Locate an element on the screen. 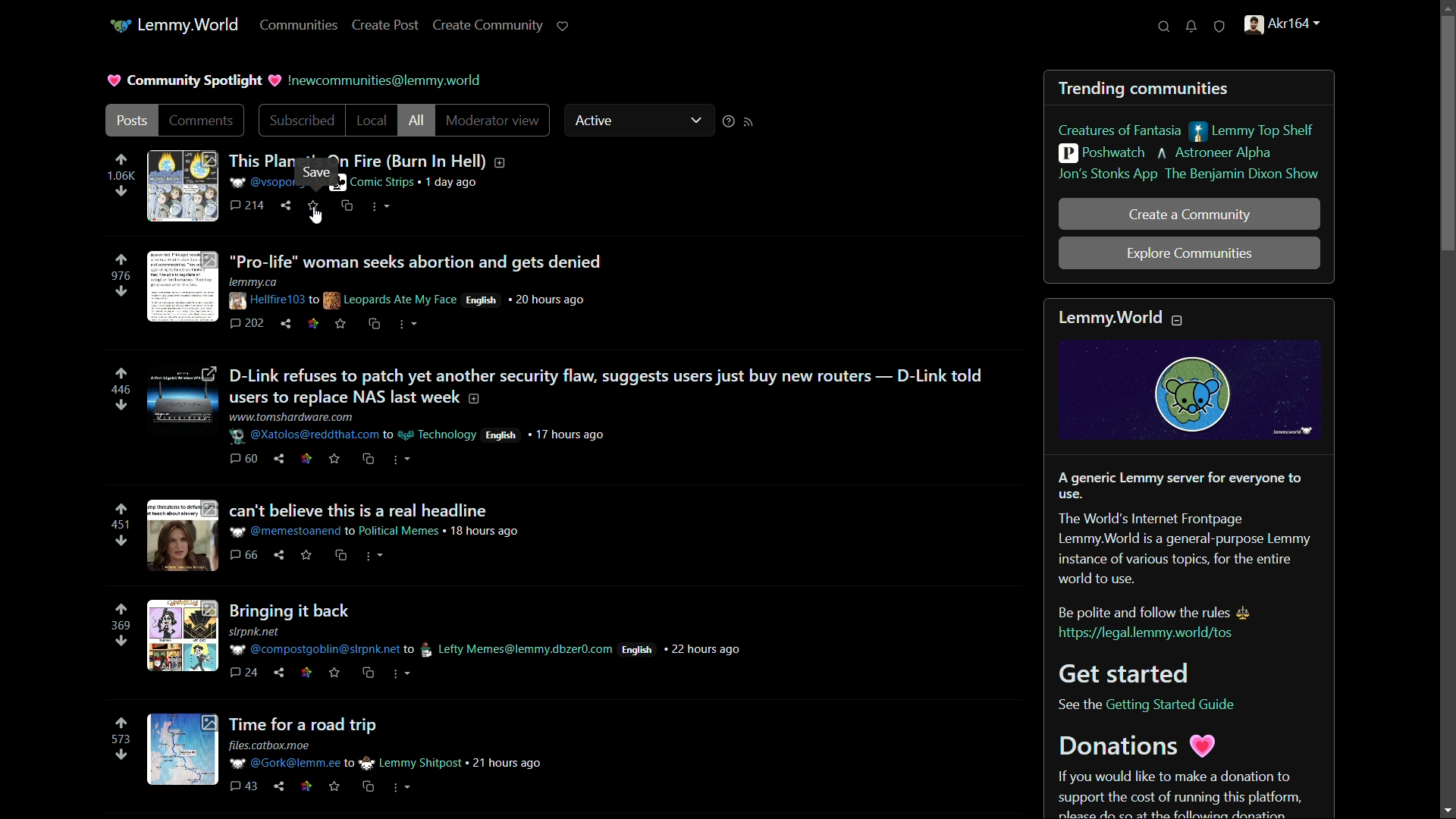  post-4 is located at coordinates (339, 538).